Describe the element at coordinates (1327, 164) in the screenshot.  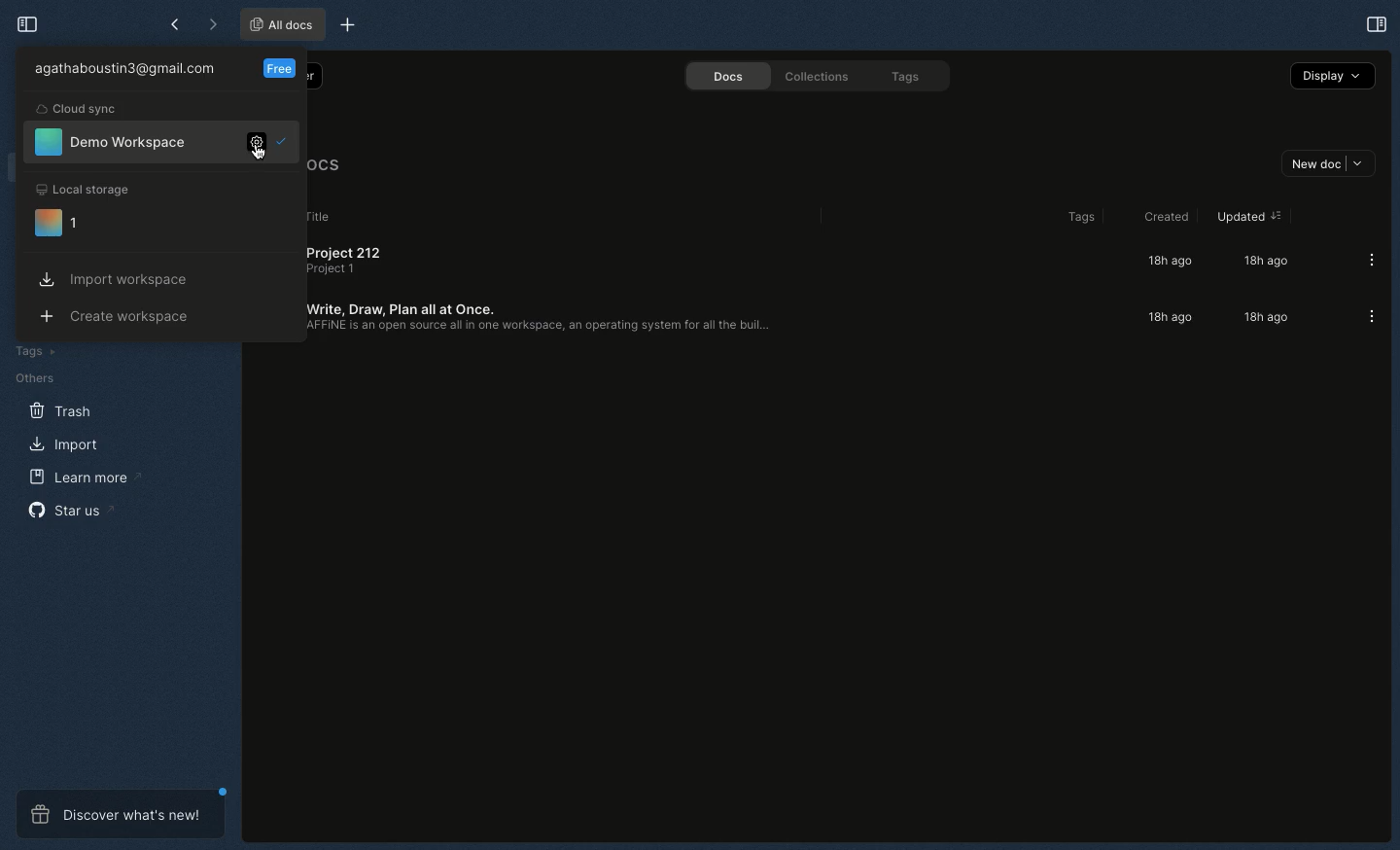
I see `New doc` at that location.